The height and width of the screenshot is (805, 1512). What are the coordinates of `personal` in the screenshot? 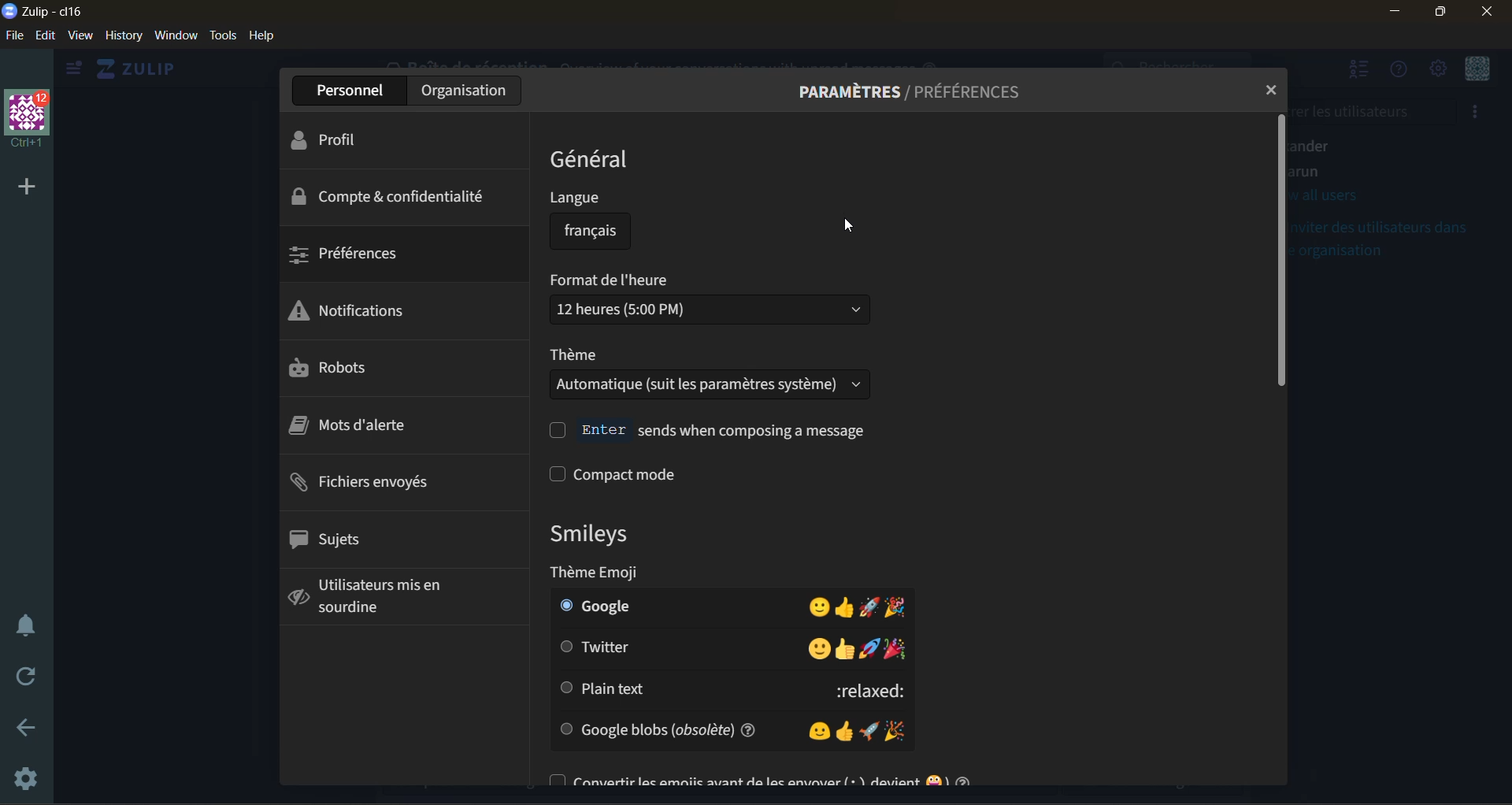 It's located at (352, 90).